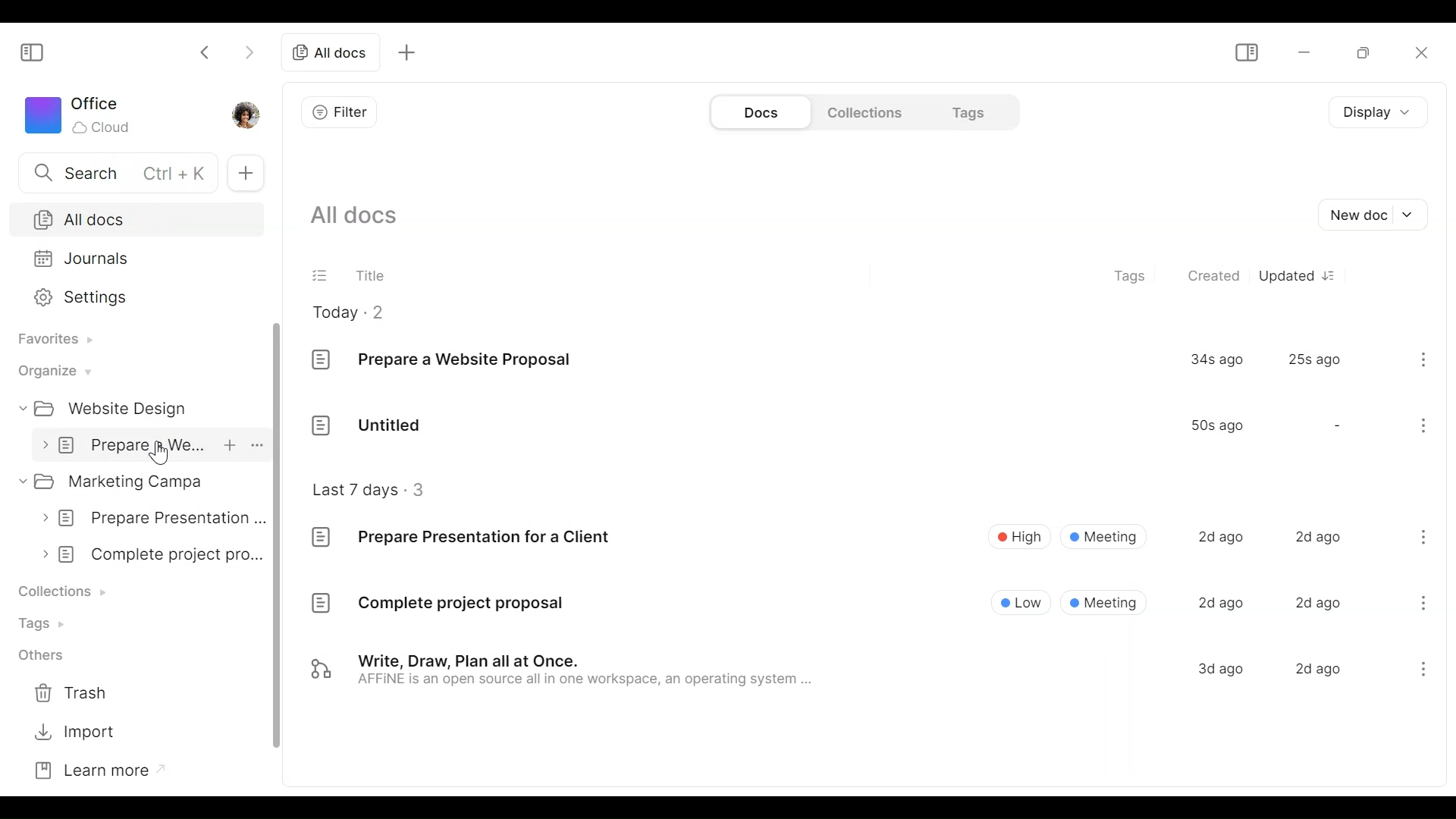  I want to click on Learn more, so click(89, 772).